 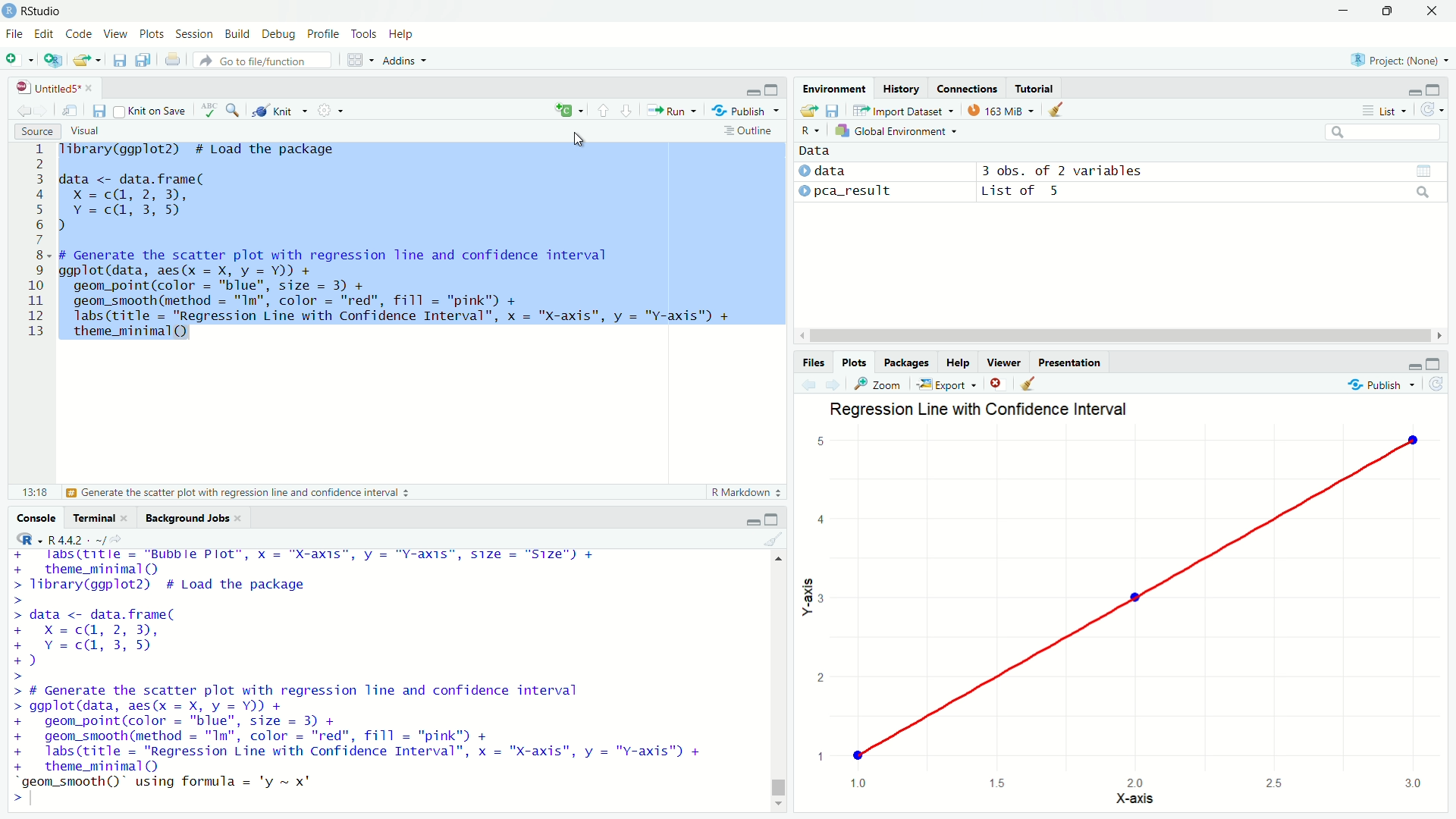 I want to click on vertical scroll bar, so click(x=779, y=680).